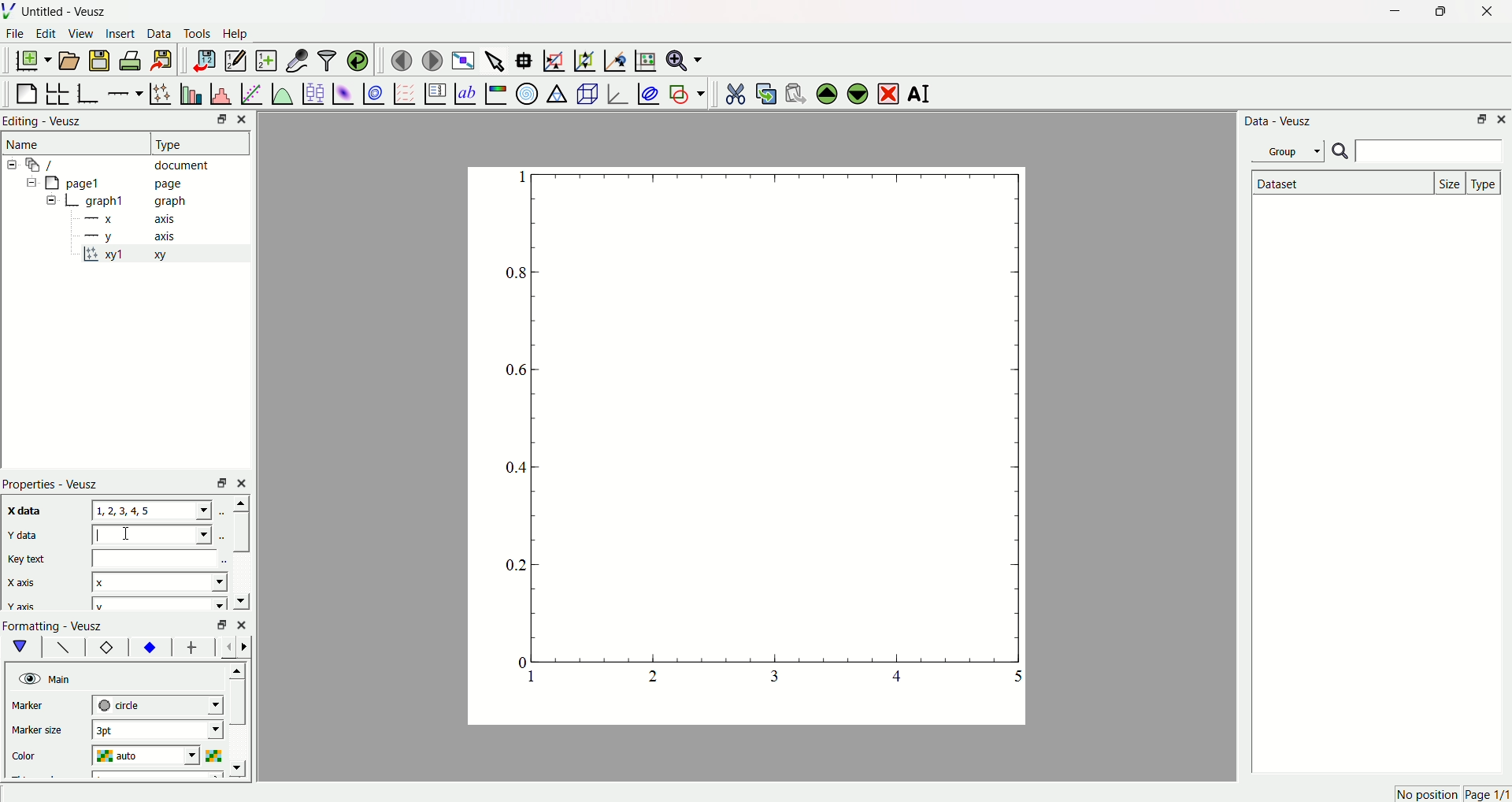 Image resolution: width=1512 pixels, height=802 pixels. What do you see at coordinates (1451, 182) in the screenshot?
I see `Size` at bounding box center [1451, 182].